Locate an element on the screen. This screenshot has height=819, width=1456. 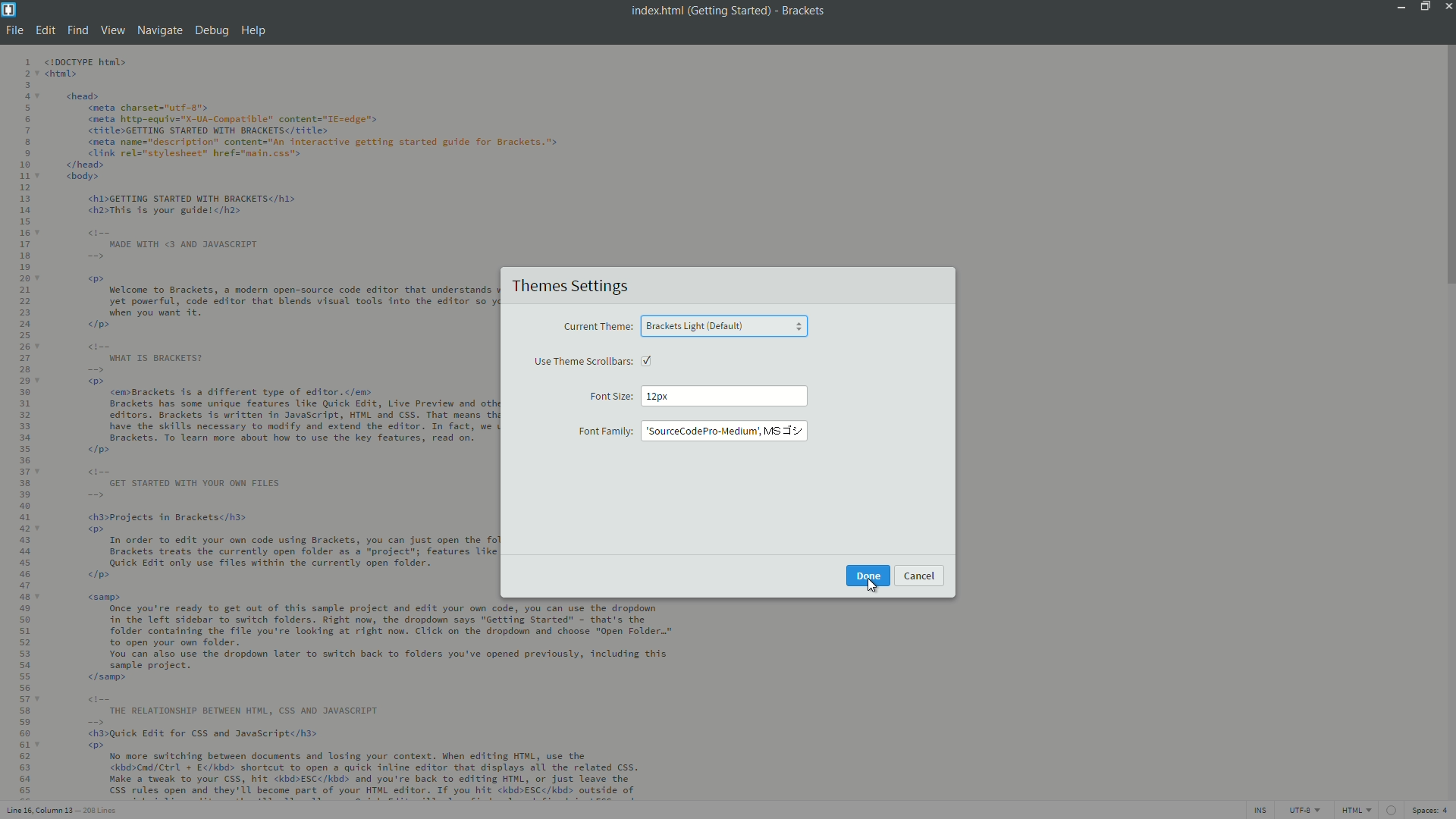
find menu is located at coordinates (76, 31).